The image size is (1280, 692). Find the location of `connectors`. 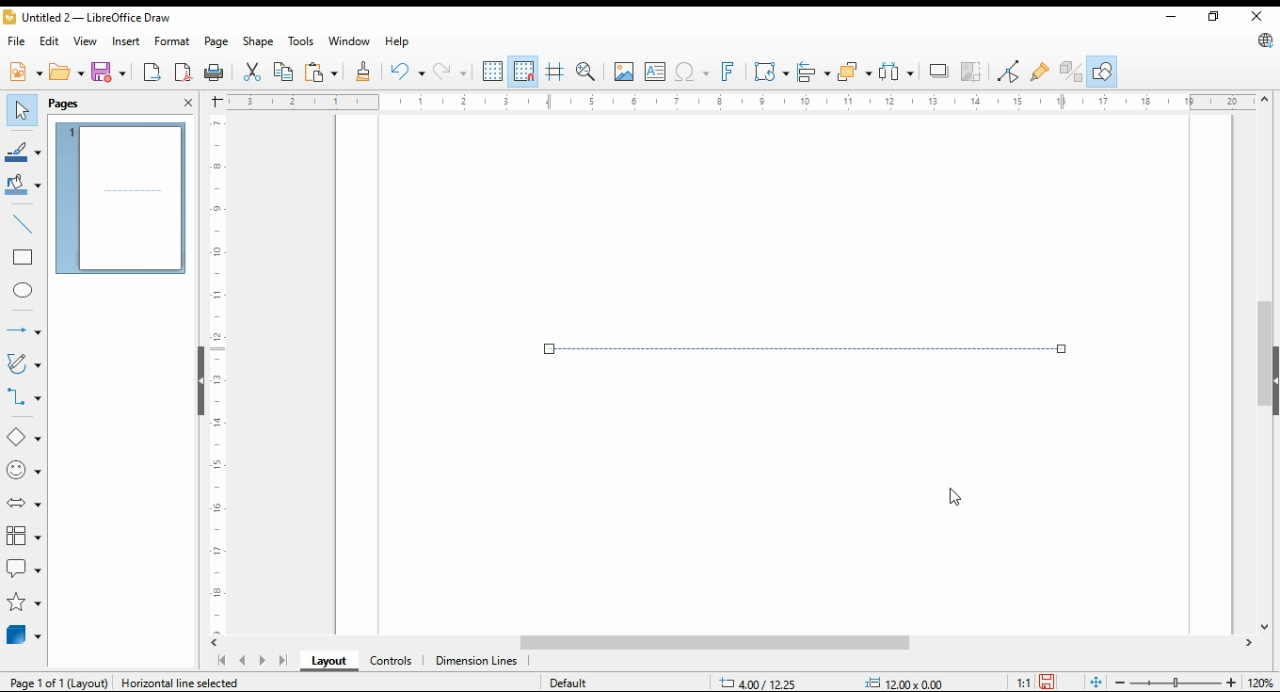

connectors is located at coordinates (24, 394).